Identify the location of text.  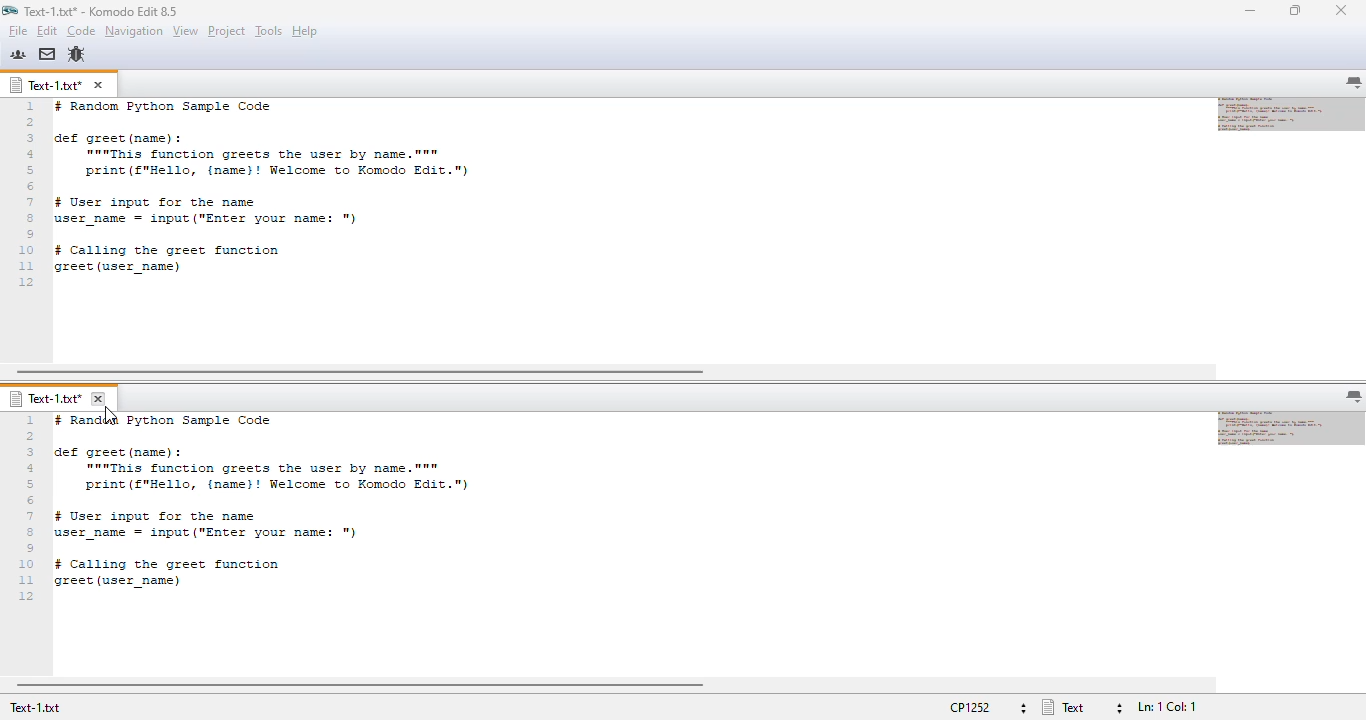
(308, 195).